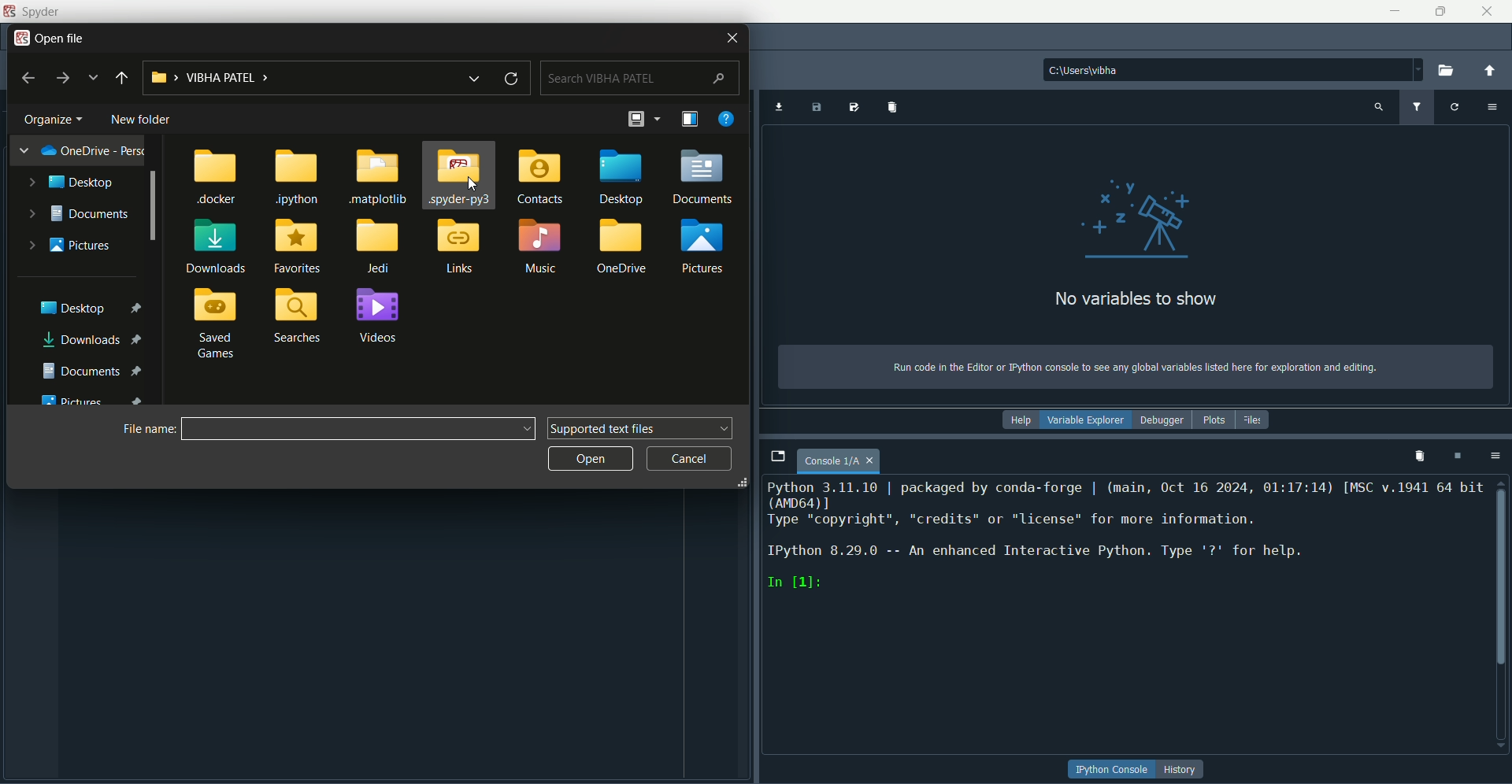 This screenshot has width=1512, height=784. What do you see at coordinates (1438, 11) in the screenshot?
I see `minimize/maximize` at bounding box center [1438, 11].